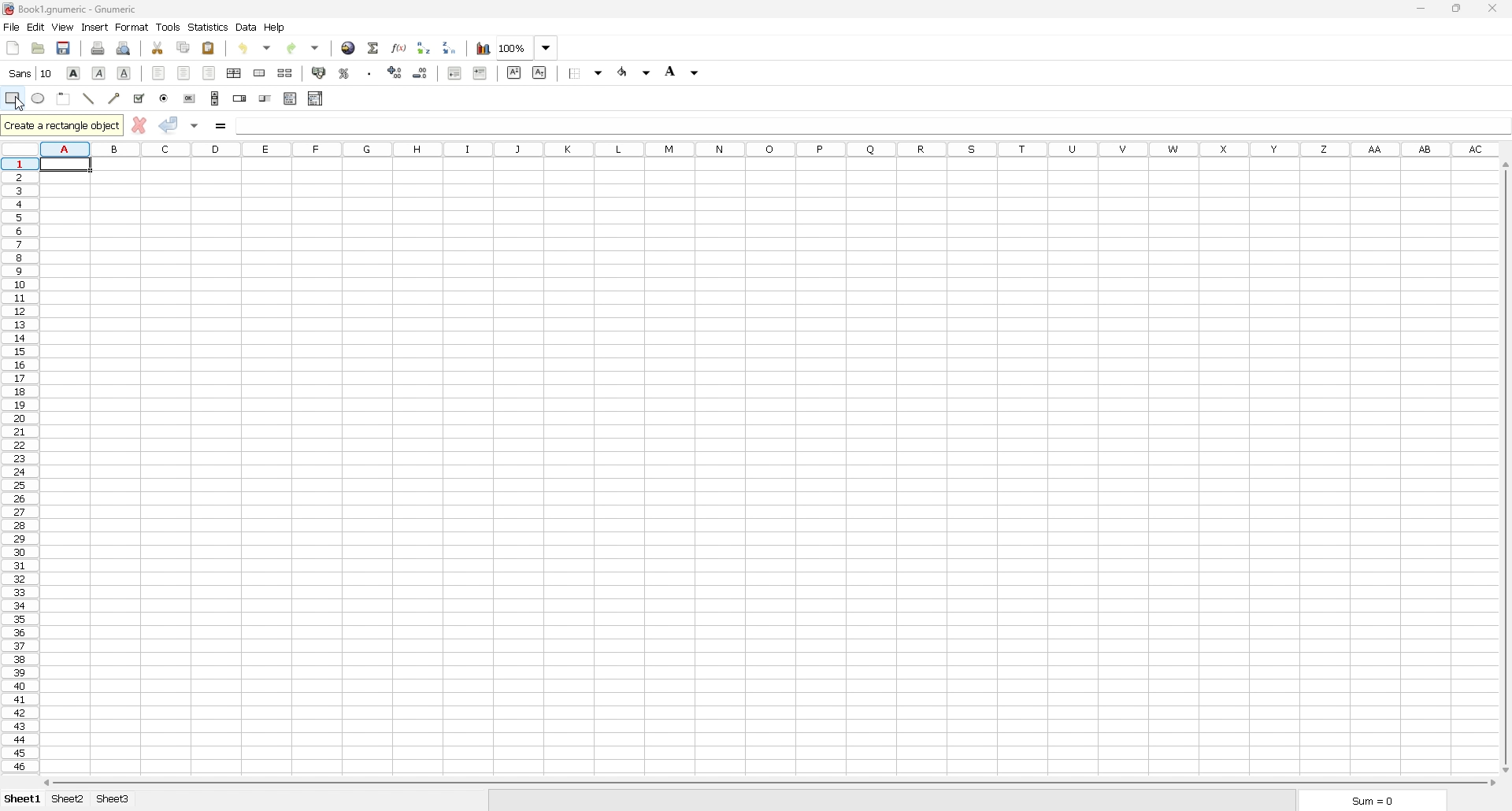  What do you see at coordinates (61, 126) in the screenshot?
I see `cursor description` at bounding box center [61, 126].